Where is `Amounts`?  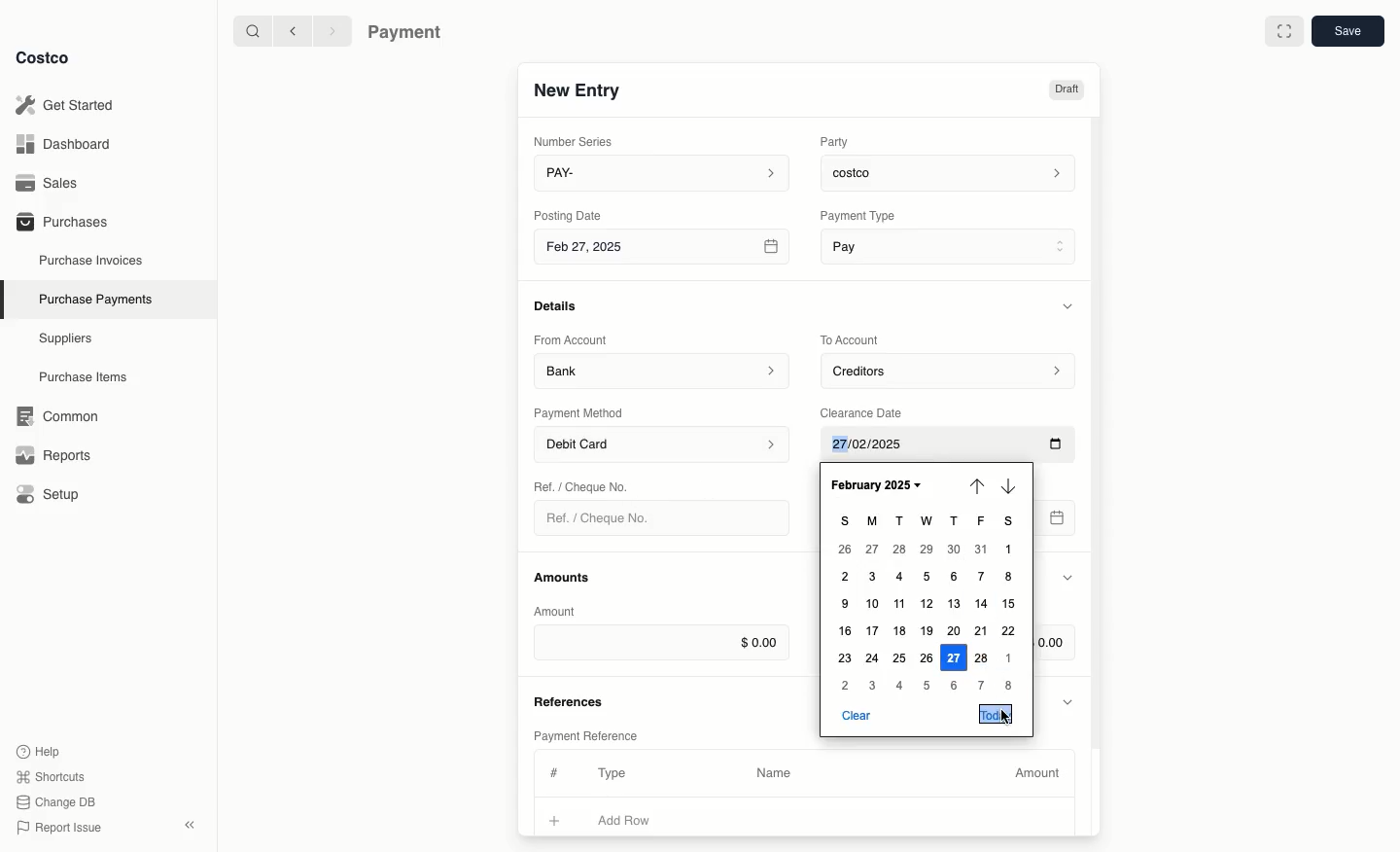 Amounts is located at coordinates (564, 577).